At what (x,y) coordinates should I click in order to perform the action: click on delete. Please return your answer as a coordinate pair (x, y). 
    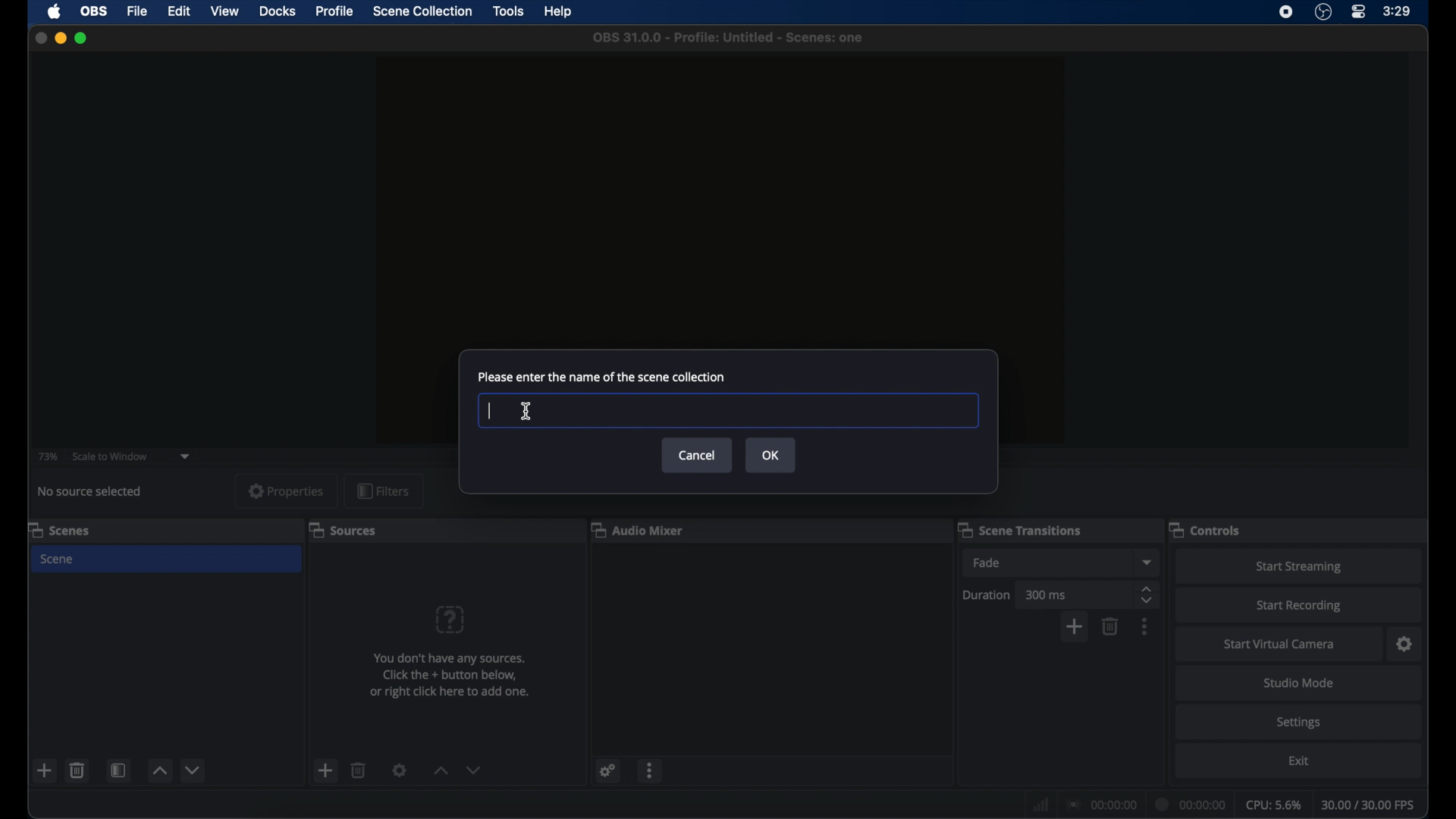
    Looking at the image, I should click on (359, 770).